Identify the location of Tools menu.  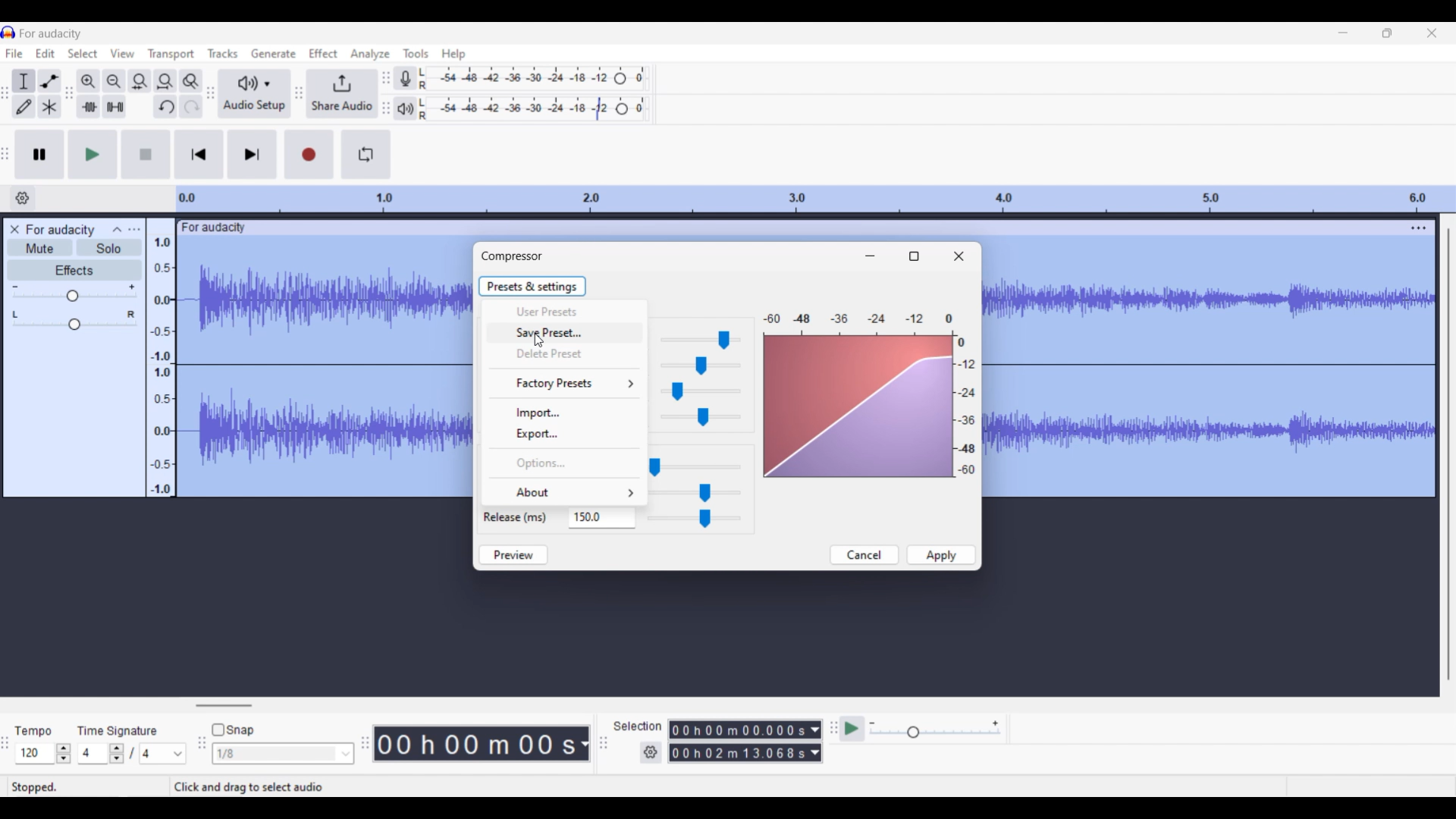
(416, 52).